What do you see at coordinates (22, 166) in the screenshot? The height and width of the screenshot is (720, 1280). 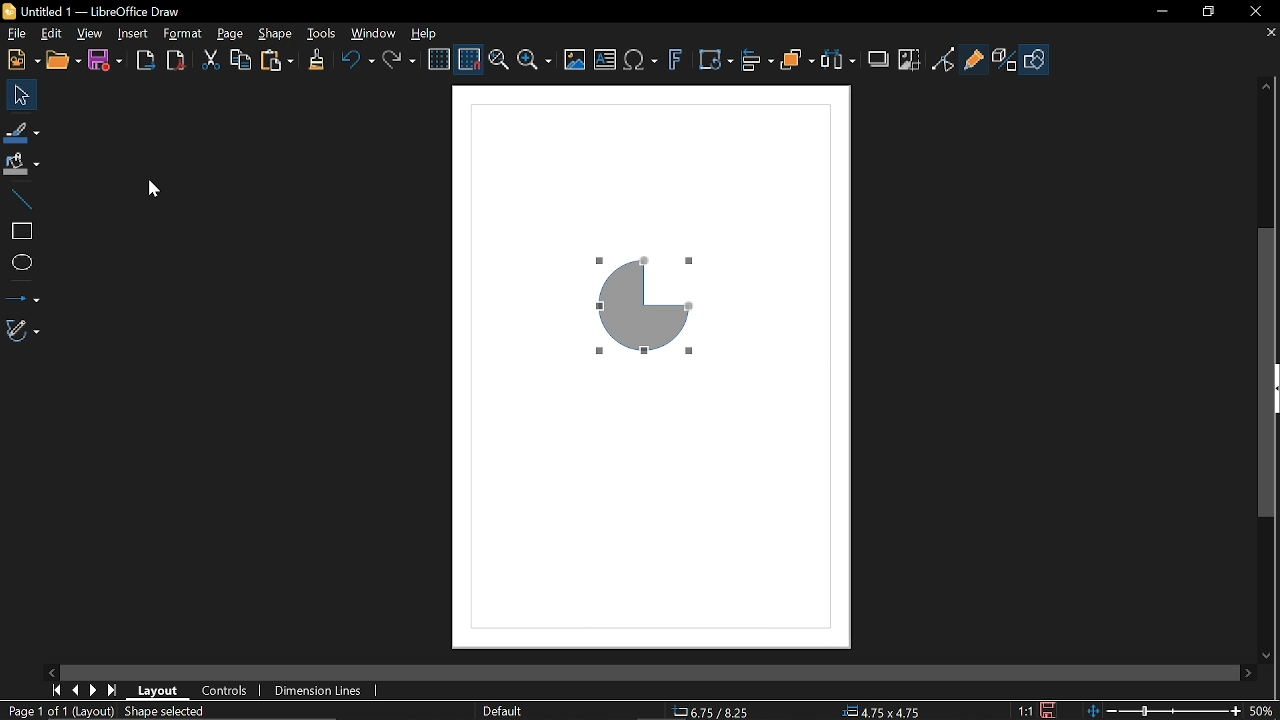 I see `Fill color` at bounding box center [22, 166].